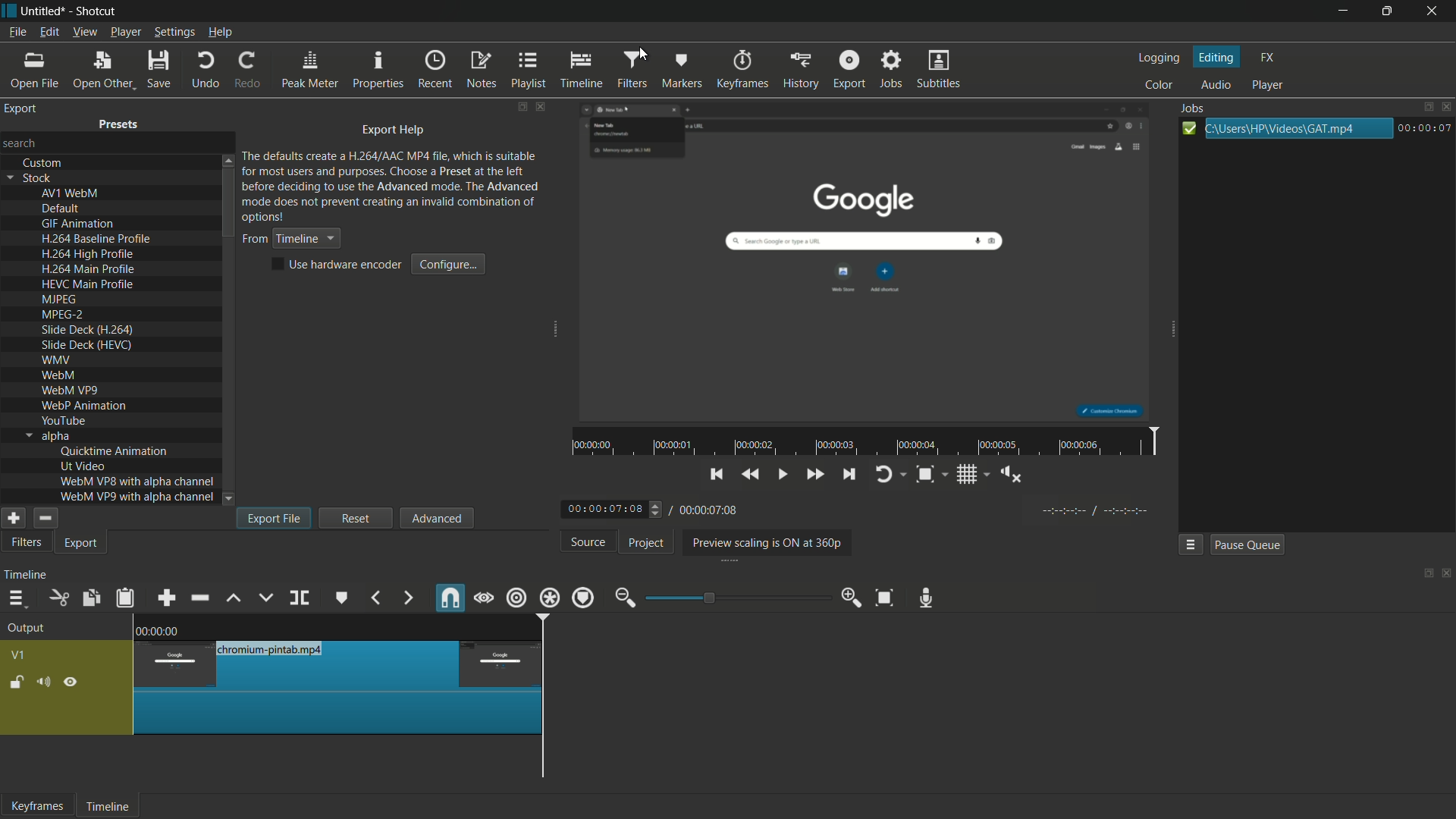 This screenshot has width=1456, height=819. Describe the element at coordinates (764, 544) in the screenshot. I see `preview scaling is on at 360p` at that location.